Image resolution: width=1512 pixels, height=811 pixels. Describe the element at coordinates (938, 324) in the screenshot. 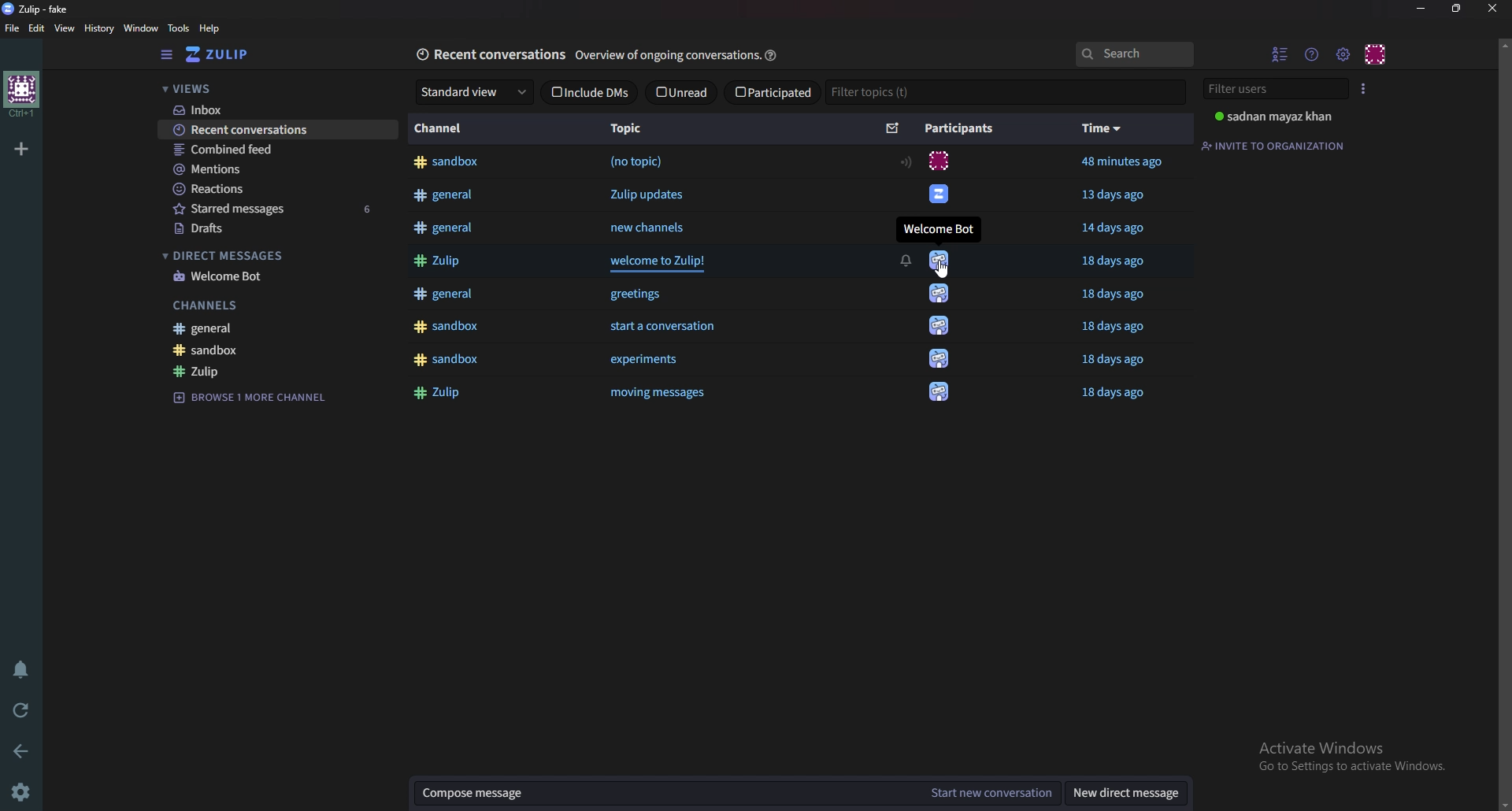

I see `icon` at that location.